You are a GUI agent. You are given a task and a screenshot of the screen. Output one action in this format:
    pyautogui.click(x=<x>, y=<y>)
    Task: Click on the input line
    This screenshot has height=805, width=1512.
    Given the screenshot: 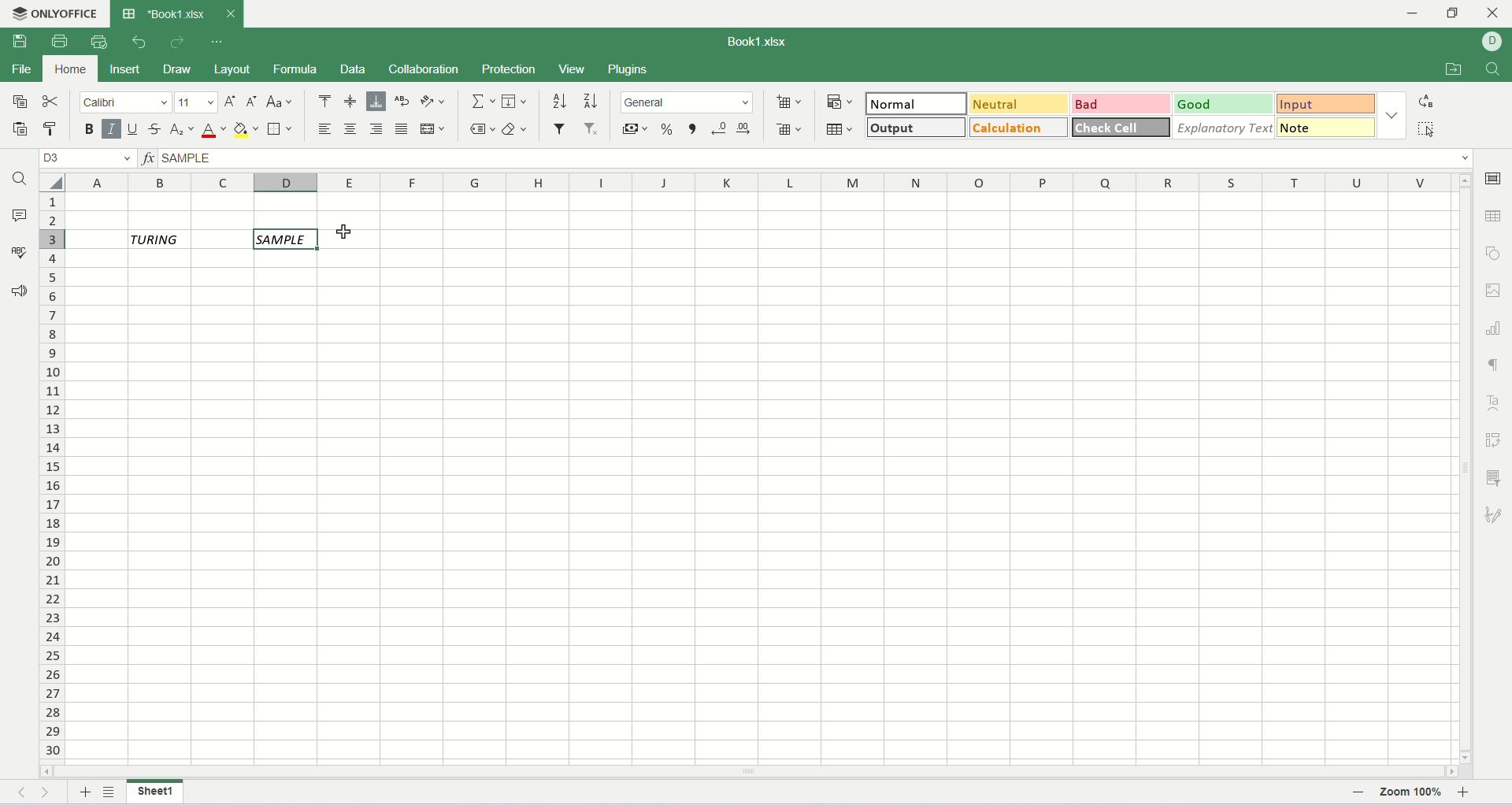 What is the action you would take?
    pyautogui.click(x=819, y=158)
    